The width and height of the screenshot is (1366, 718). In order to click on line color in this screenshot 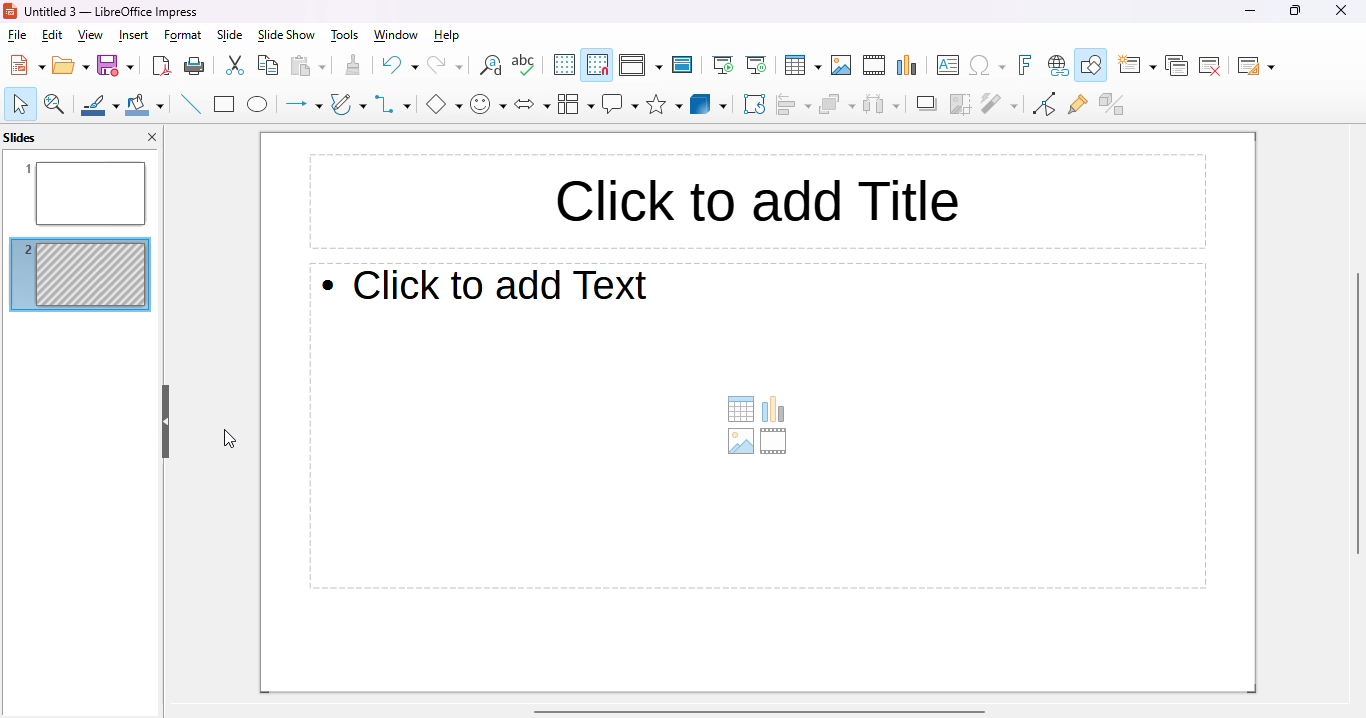, I will do `click(100, 105)`.